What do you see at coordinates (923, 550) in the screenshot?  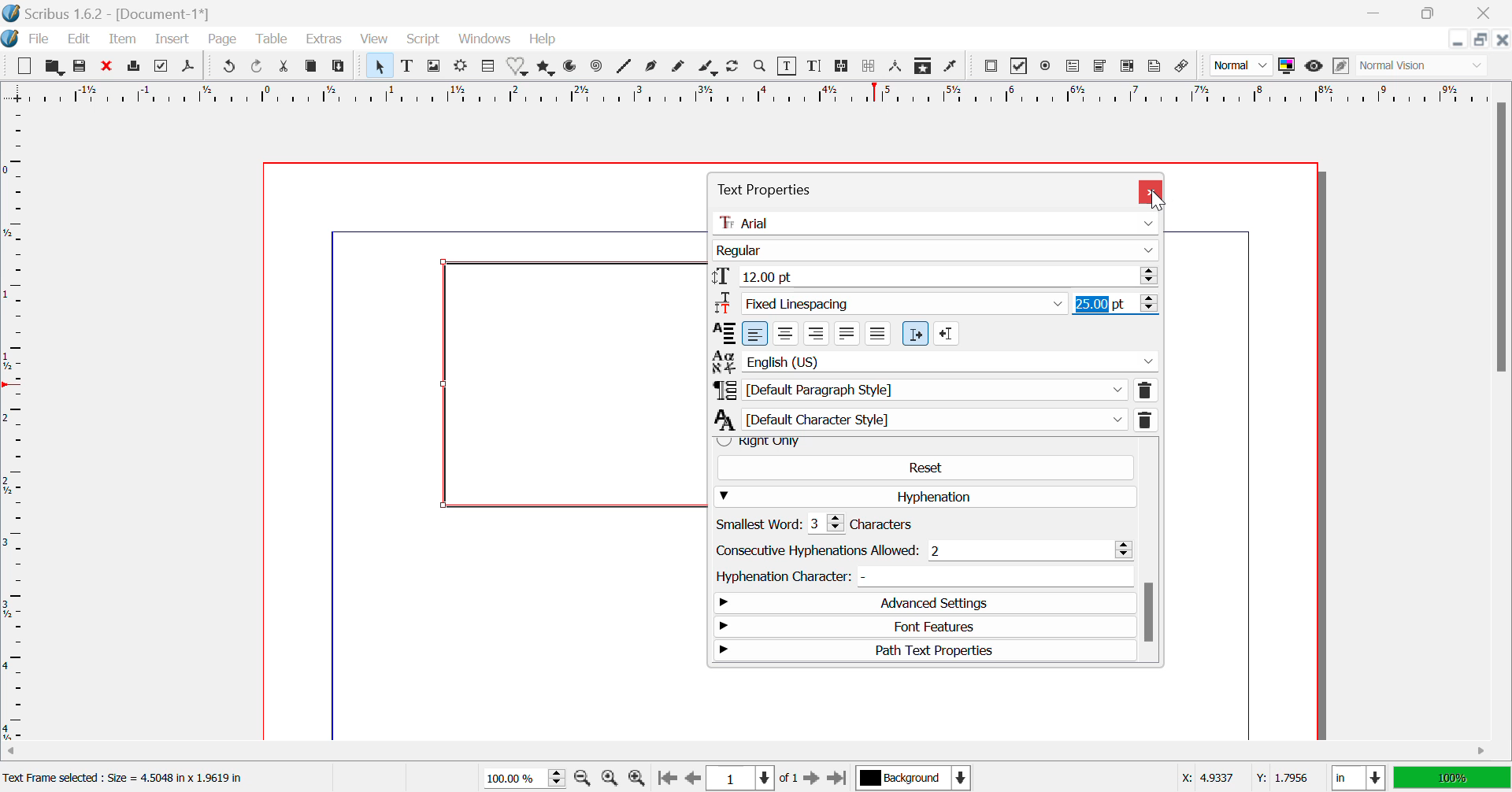 I see `Consecutive hyphenations: 2` at bounding box center [923, 550].